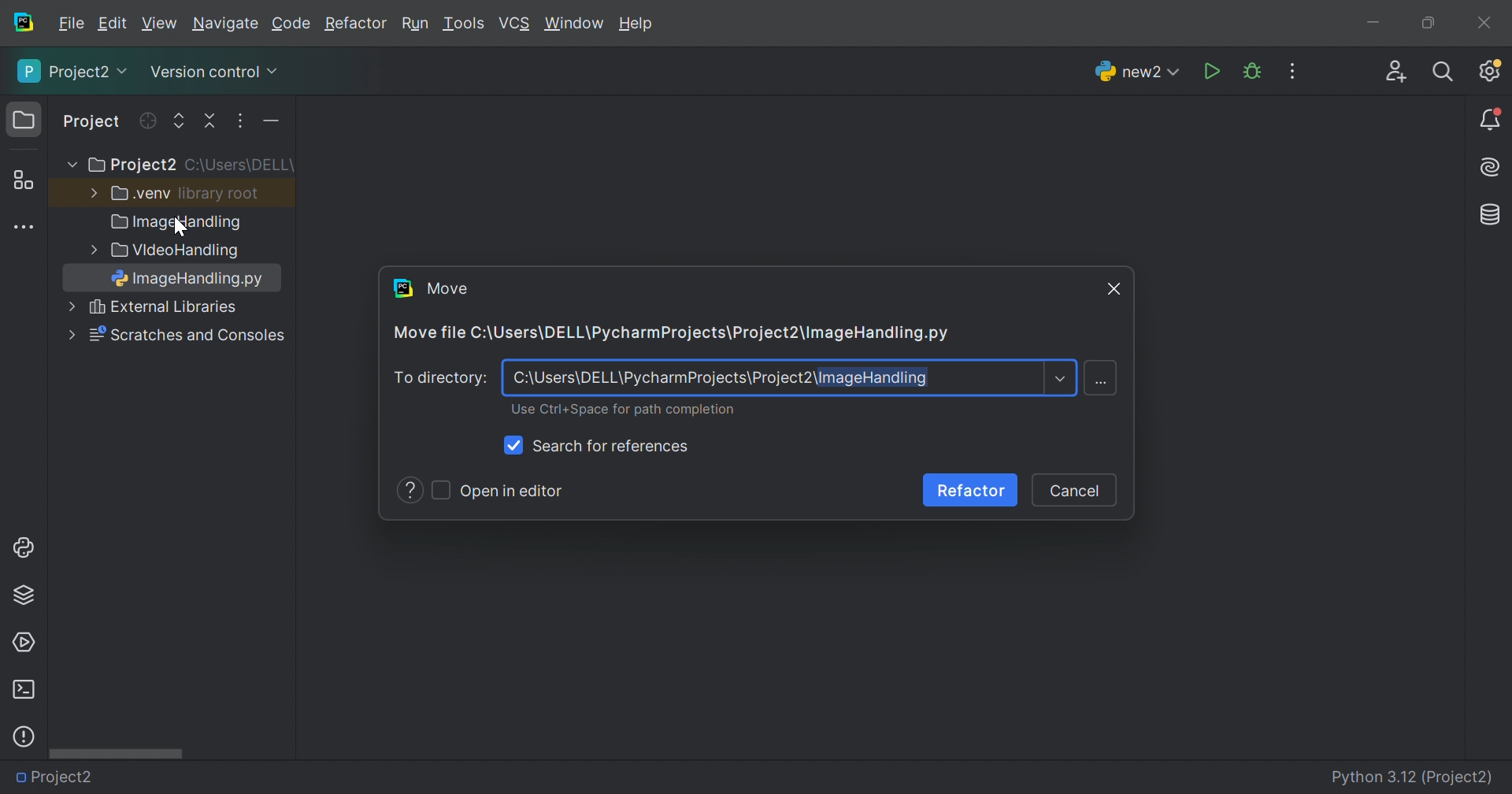  I want to click on Project icon, so click(26, 121).